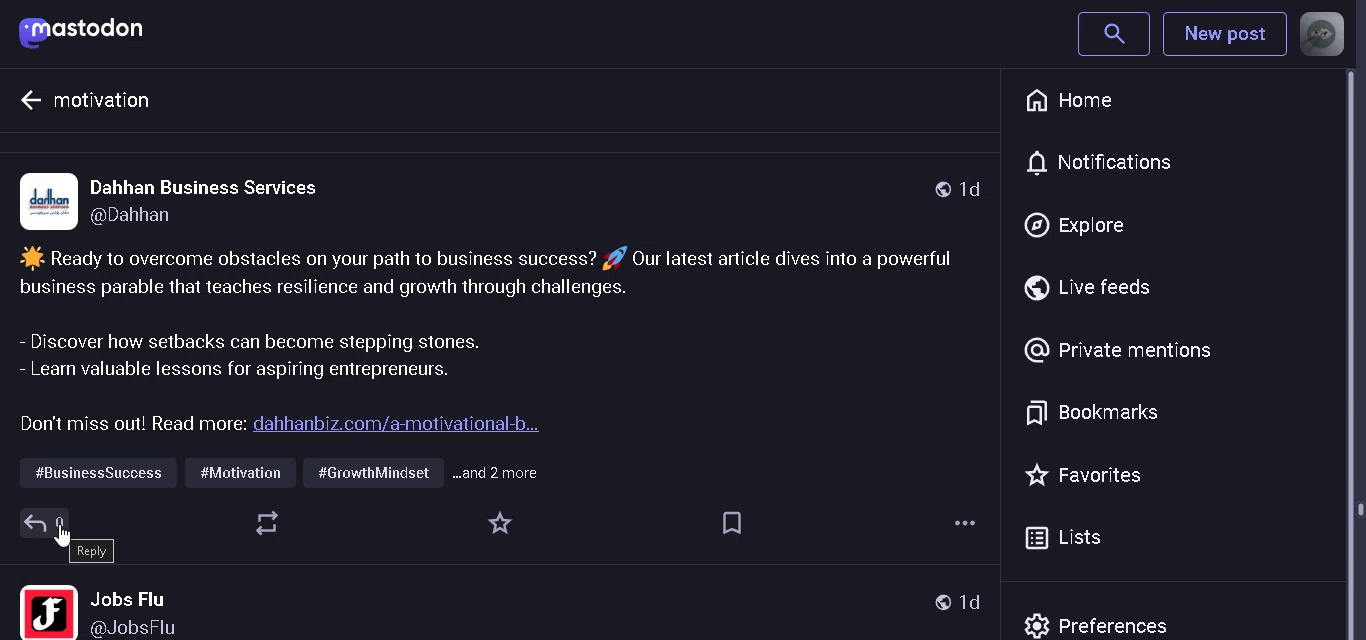 This screenshot has height=640, width=1366. I want to click on notification, so click(1114, 162).